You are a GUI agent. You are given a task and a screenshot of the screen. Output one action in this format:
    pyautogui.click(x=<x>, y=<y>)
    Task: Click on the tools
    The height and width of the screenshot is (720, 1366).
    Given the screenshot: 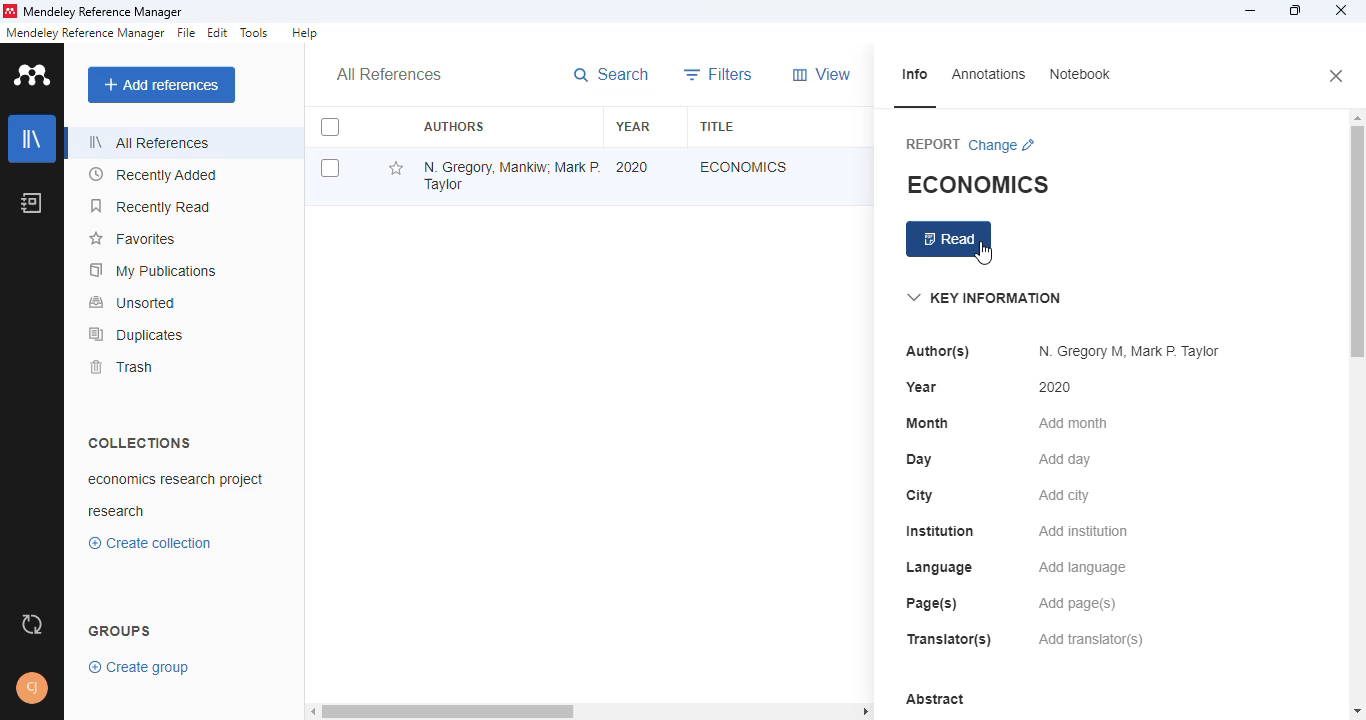 What is the action you would take?
    pyautogui.click(x=255, y=32)
    